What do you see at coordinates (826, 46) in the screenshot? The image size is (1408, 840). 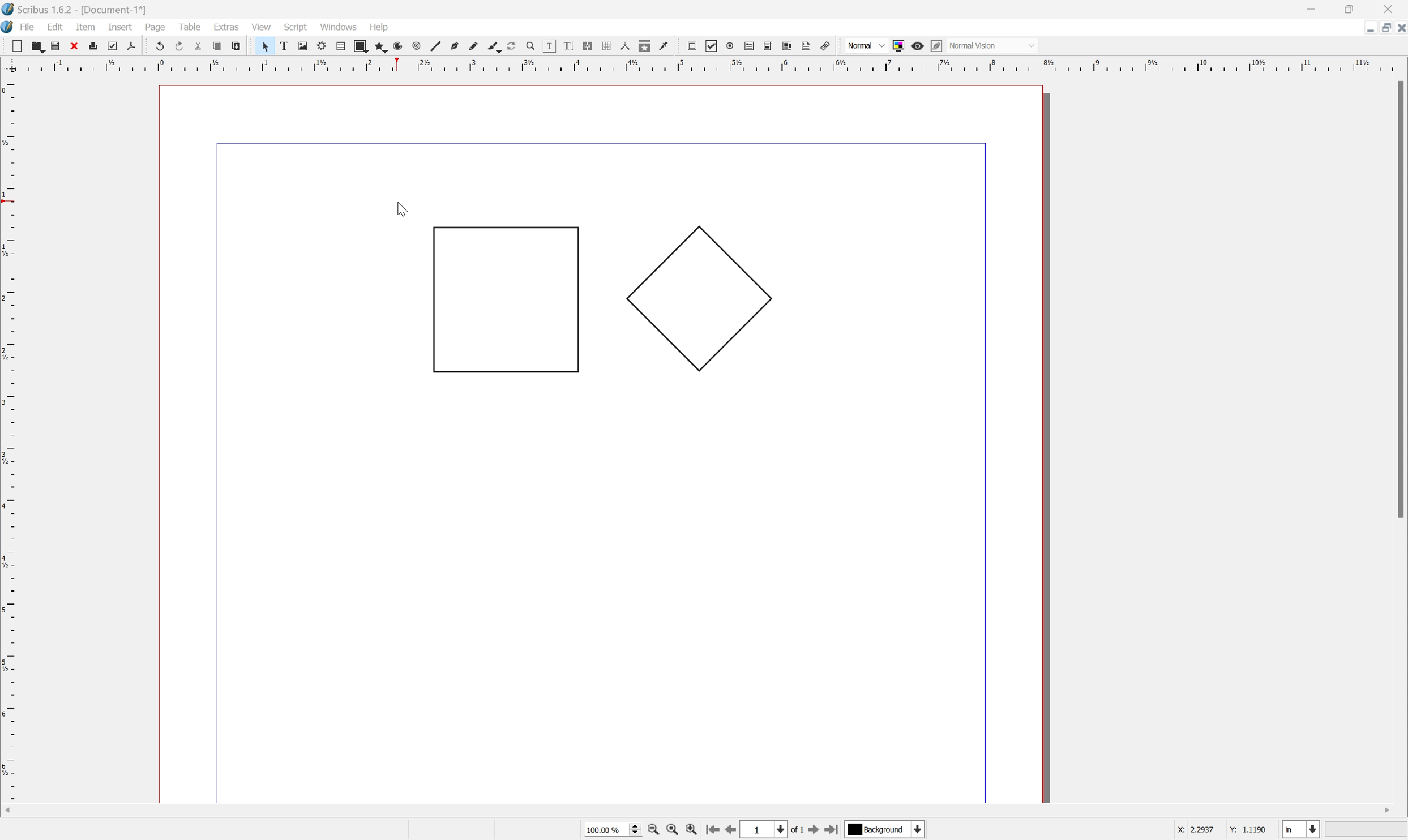 I see `Link annotation` at bounding box center [826, 46].